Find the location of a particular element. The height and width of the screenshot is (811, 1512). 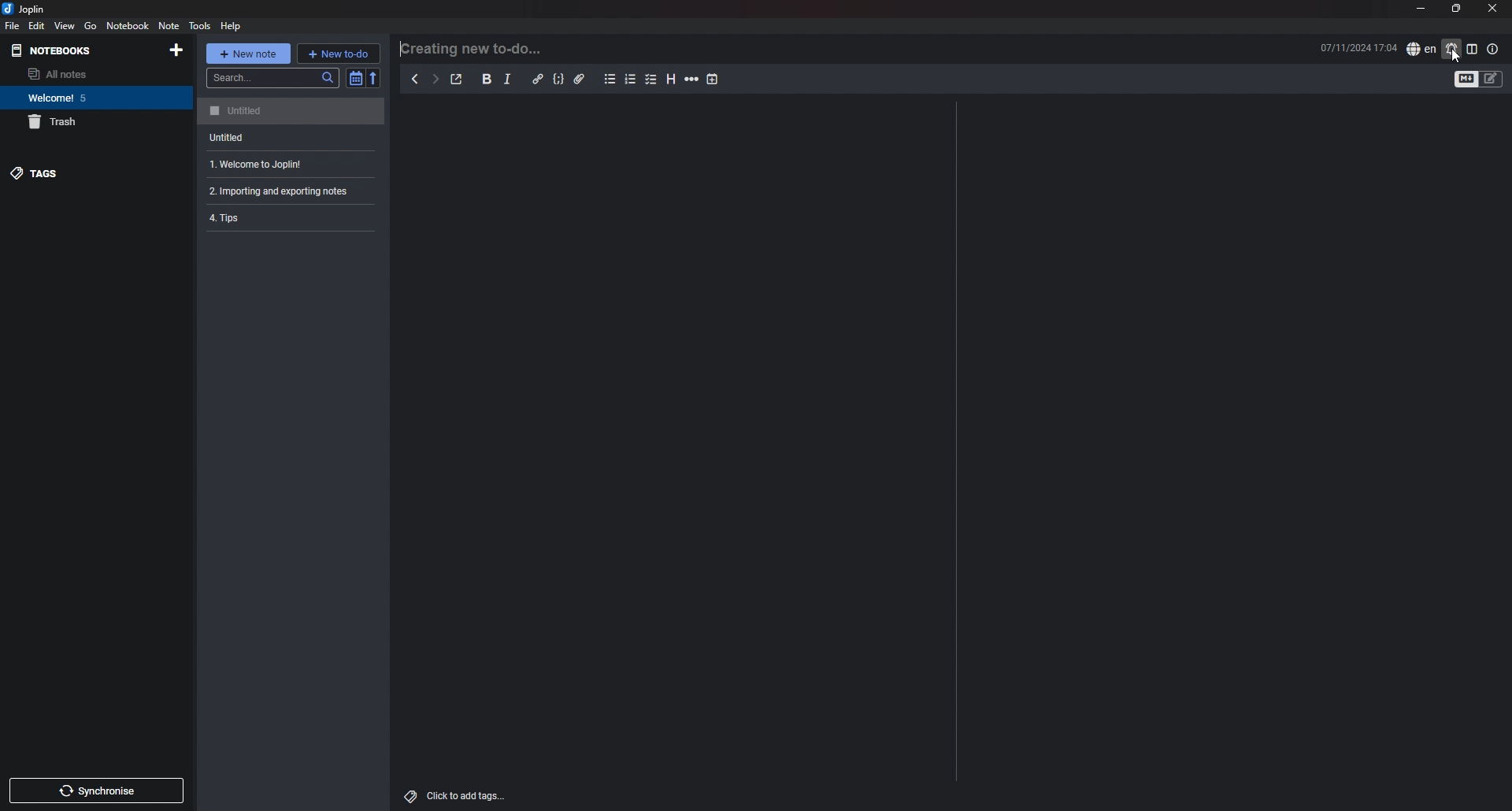

4. Tips is located at coordinates (274, 220).